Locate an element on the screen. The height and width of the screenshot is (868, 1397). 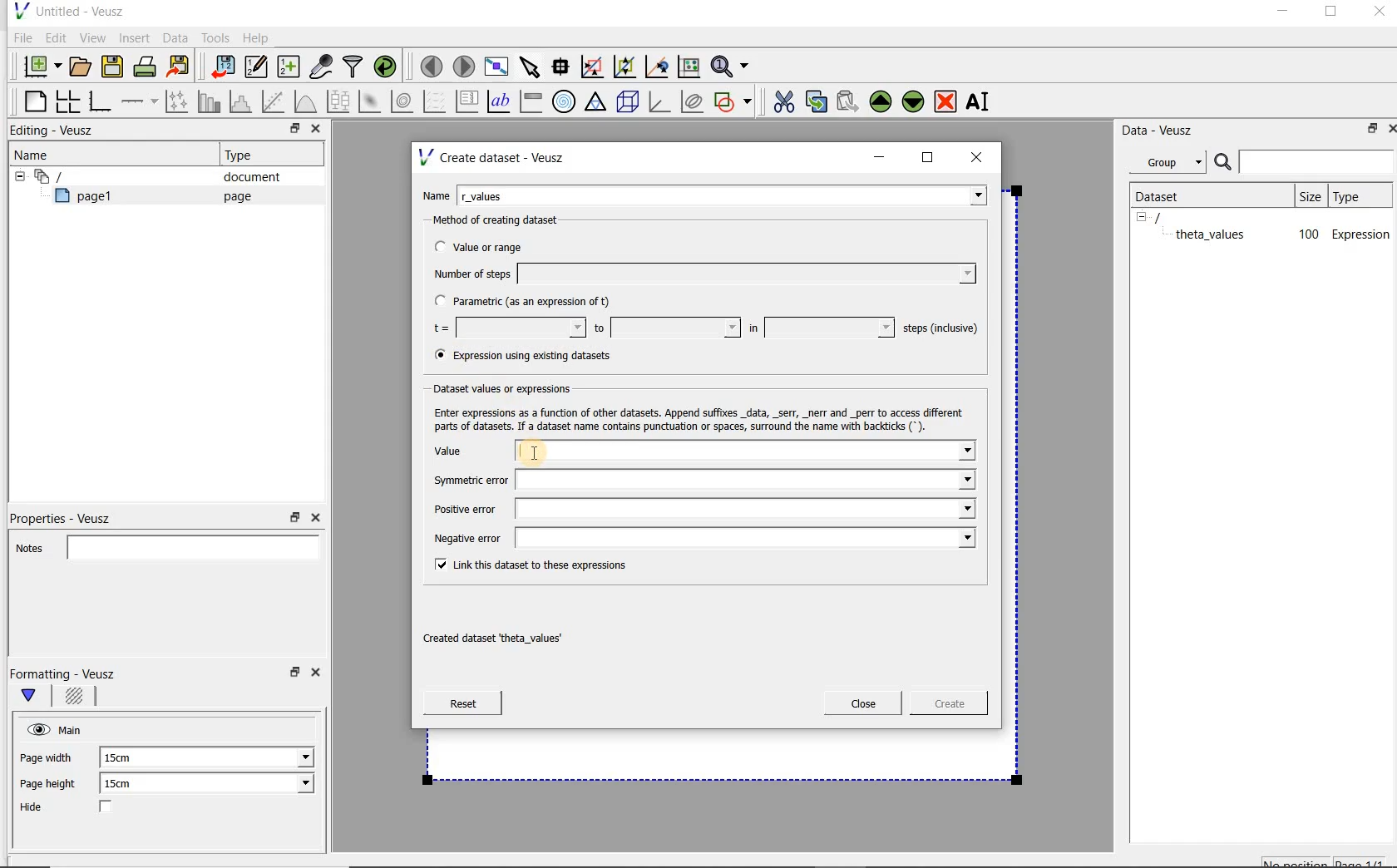
Formatting - Veusz is located at coordinates (65, 673).